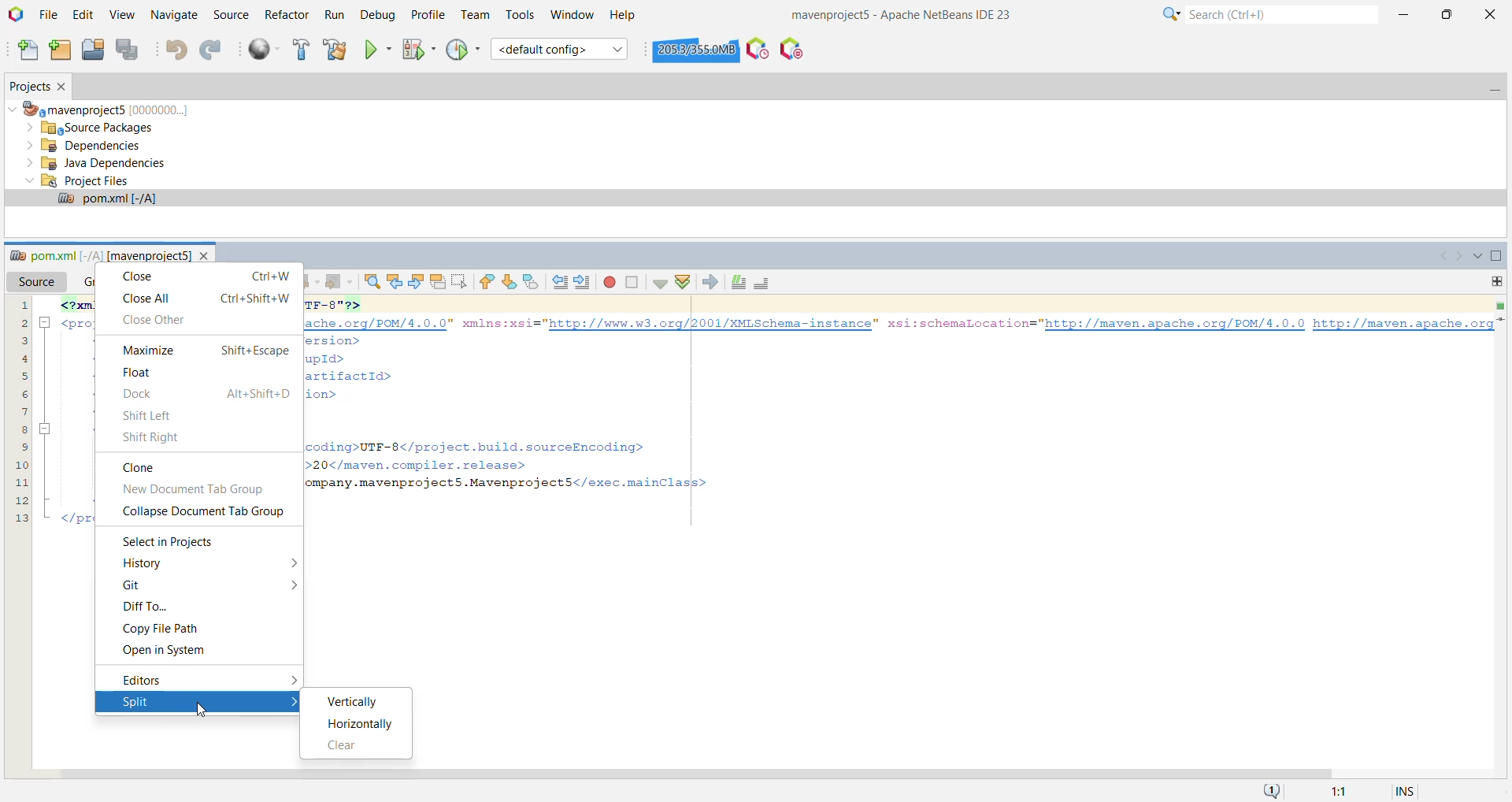 This screenshot has height=802, width=1512. I want to click on Close Project Window, so click(65, 87).